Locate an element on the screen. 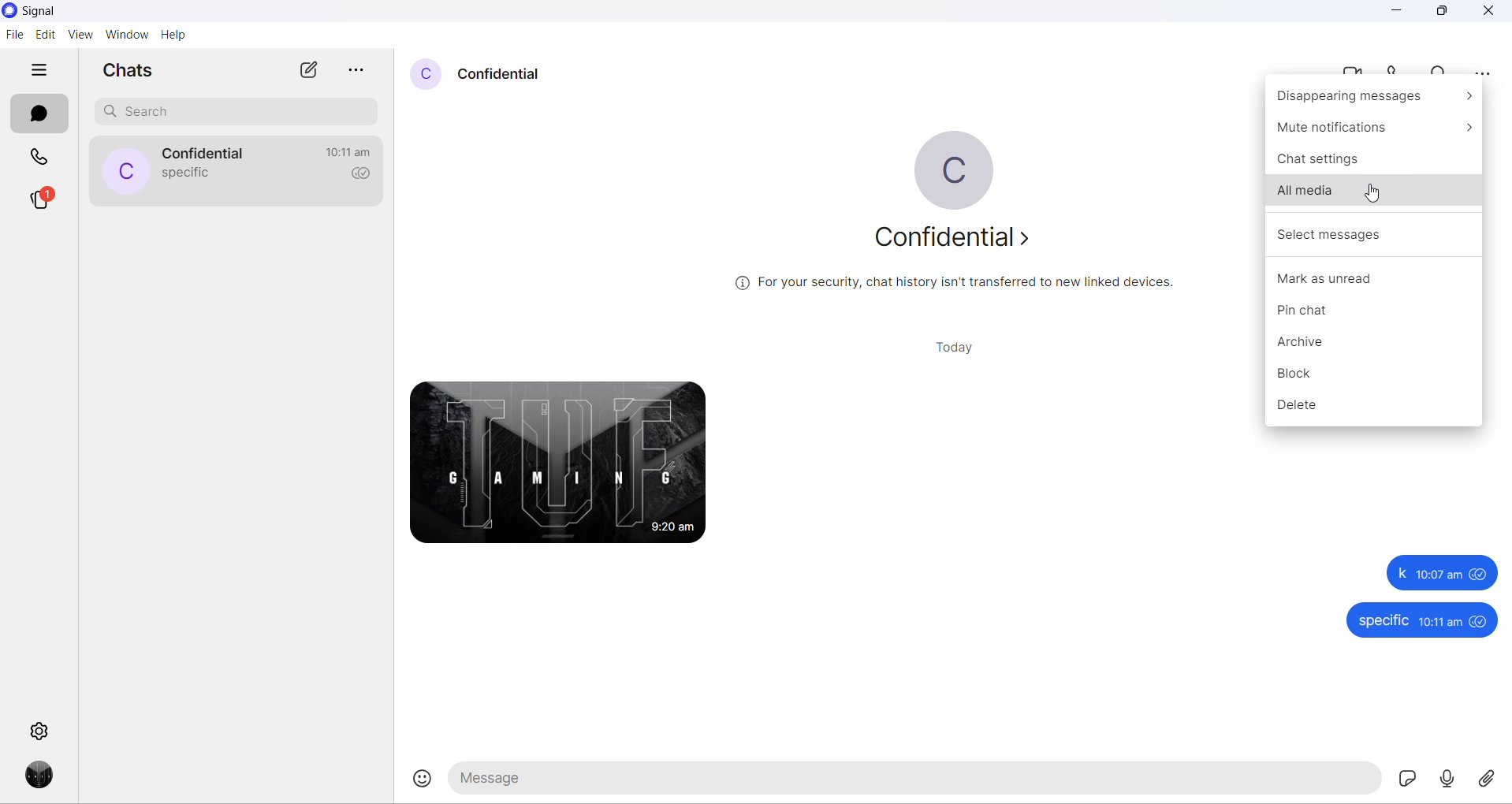 This screenshot has height=804, width=1512. read recipient is located at coordinates (359, 179).